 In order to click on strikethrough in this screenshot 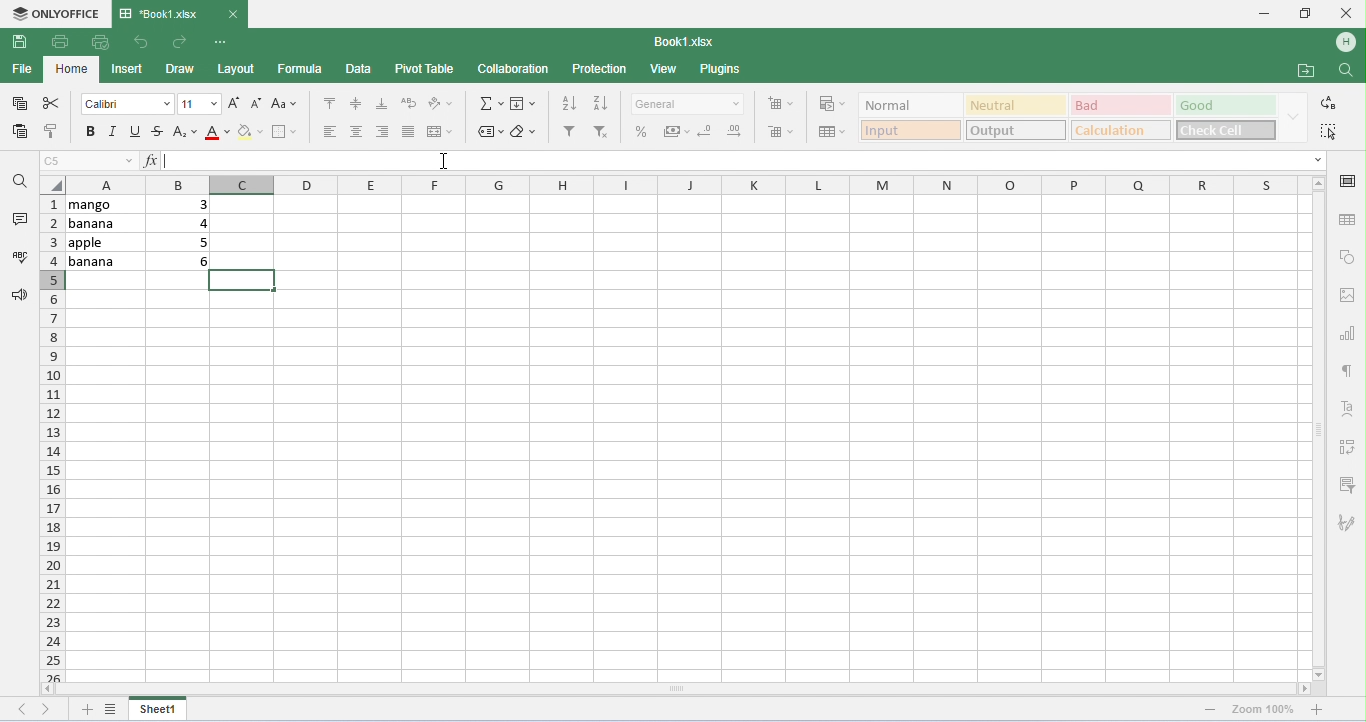, I will do `click(158, 131)`.